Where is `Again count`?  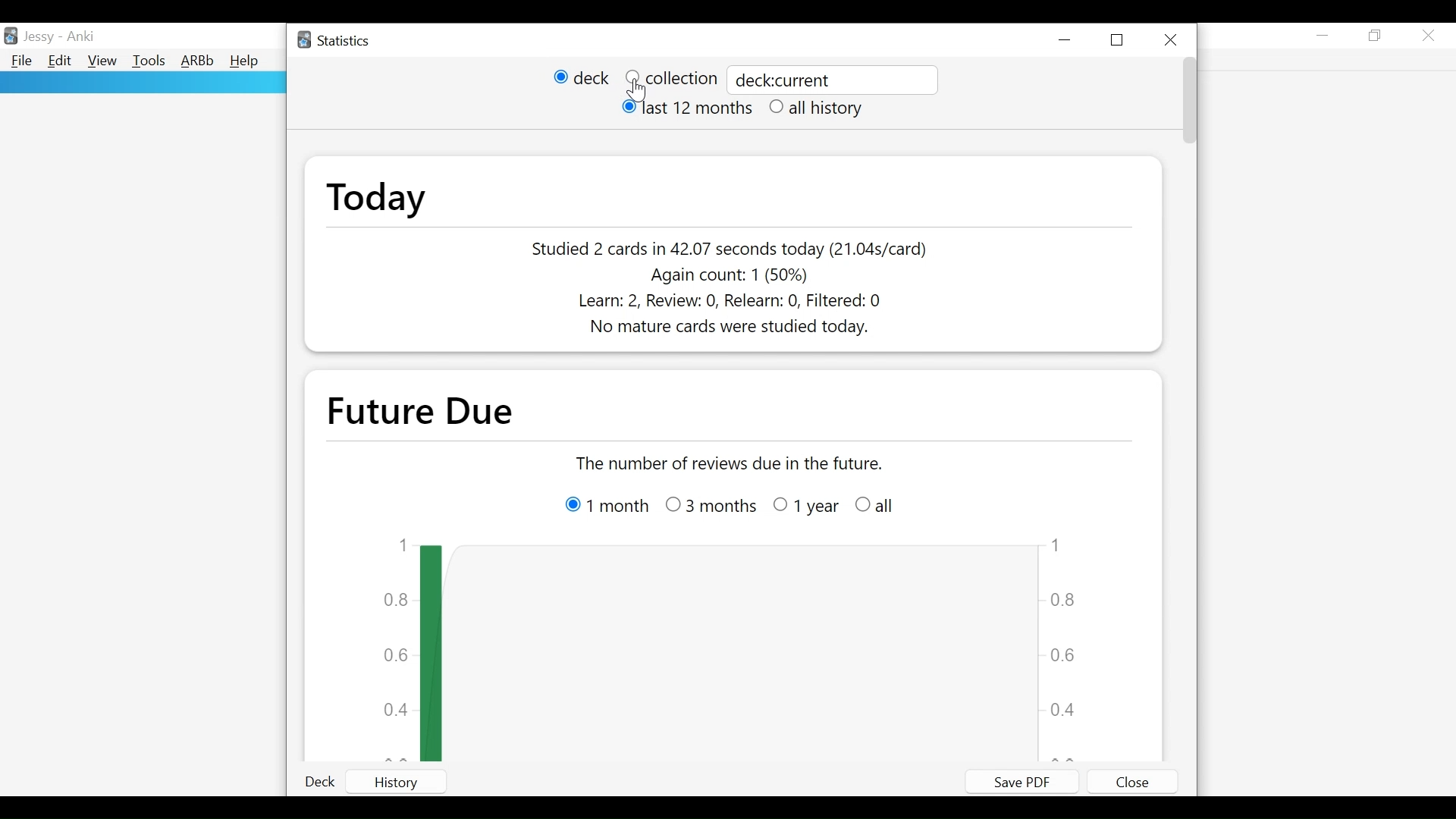 Again count is located at coordinates (724, 275).